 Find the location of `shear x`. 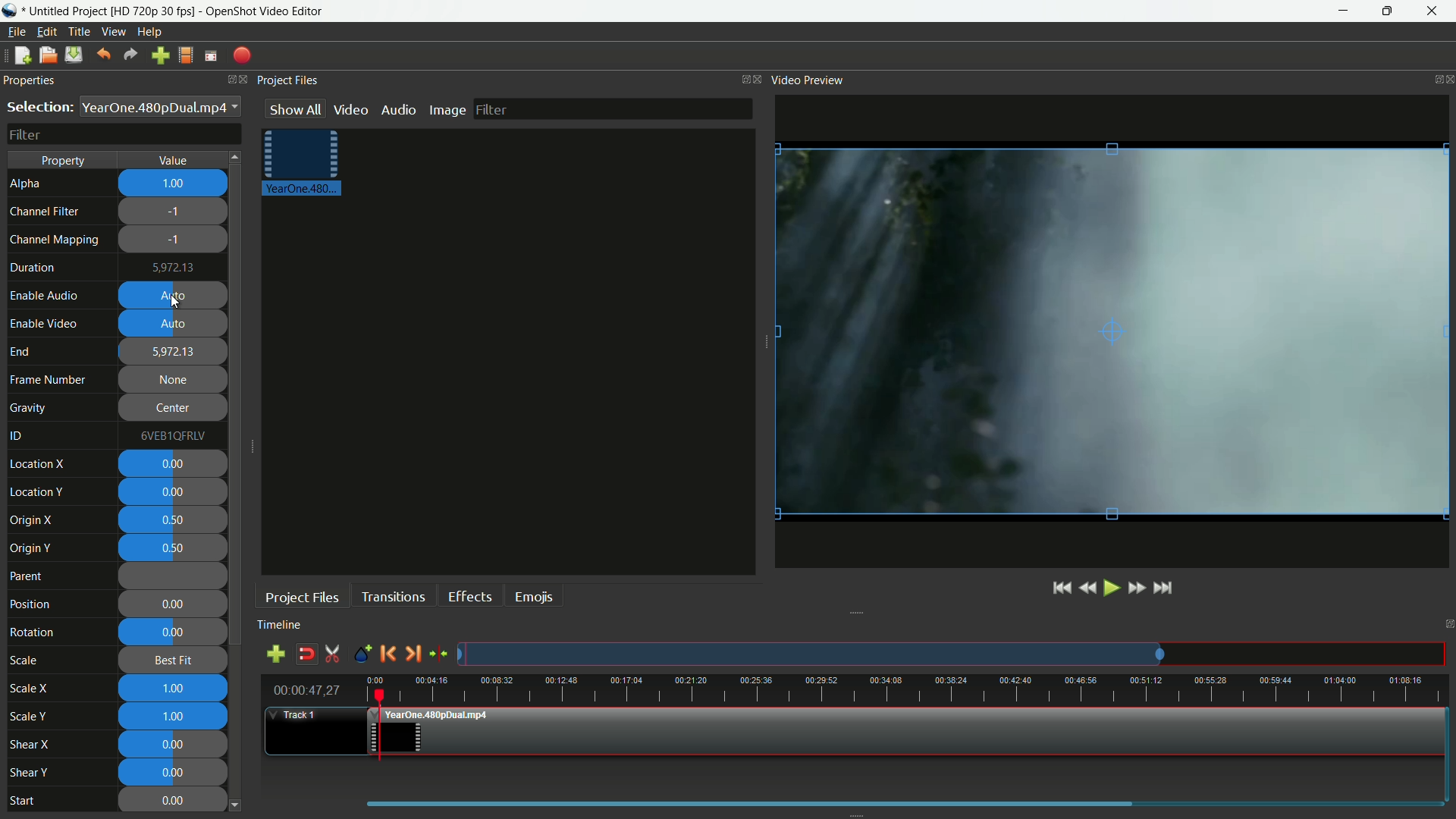

shear x is located at coordinates (31, 745).